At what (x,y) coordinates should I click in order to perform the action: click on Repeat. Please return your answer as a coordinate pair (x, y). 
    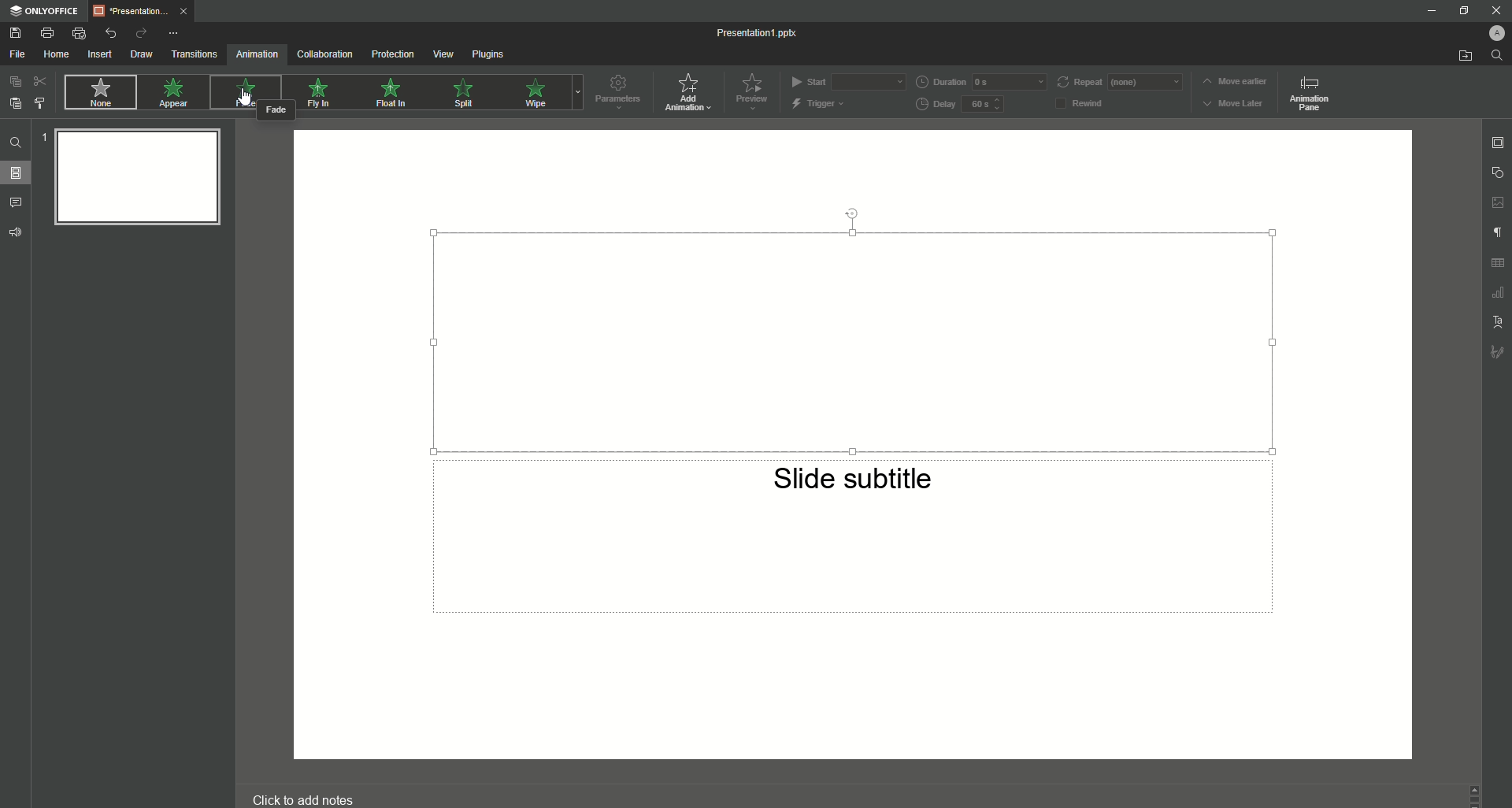
    Looking at the image, I should click on (1121, 82).